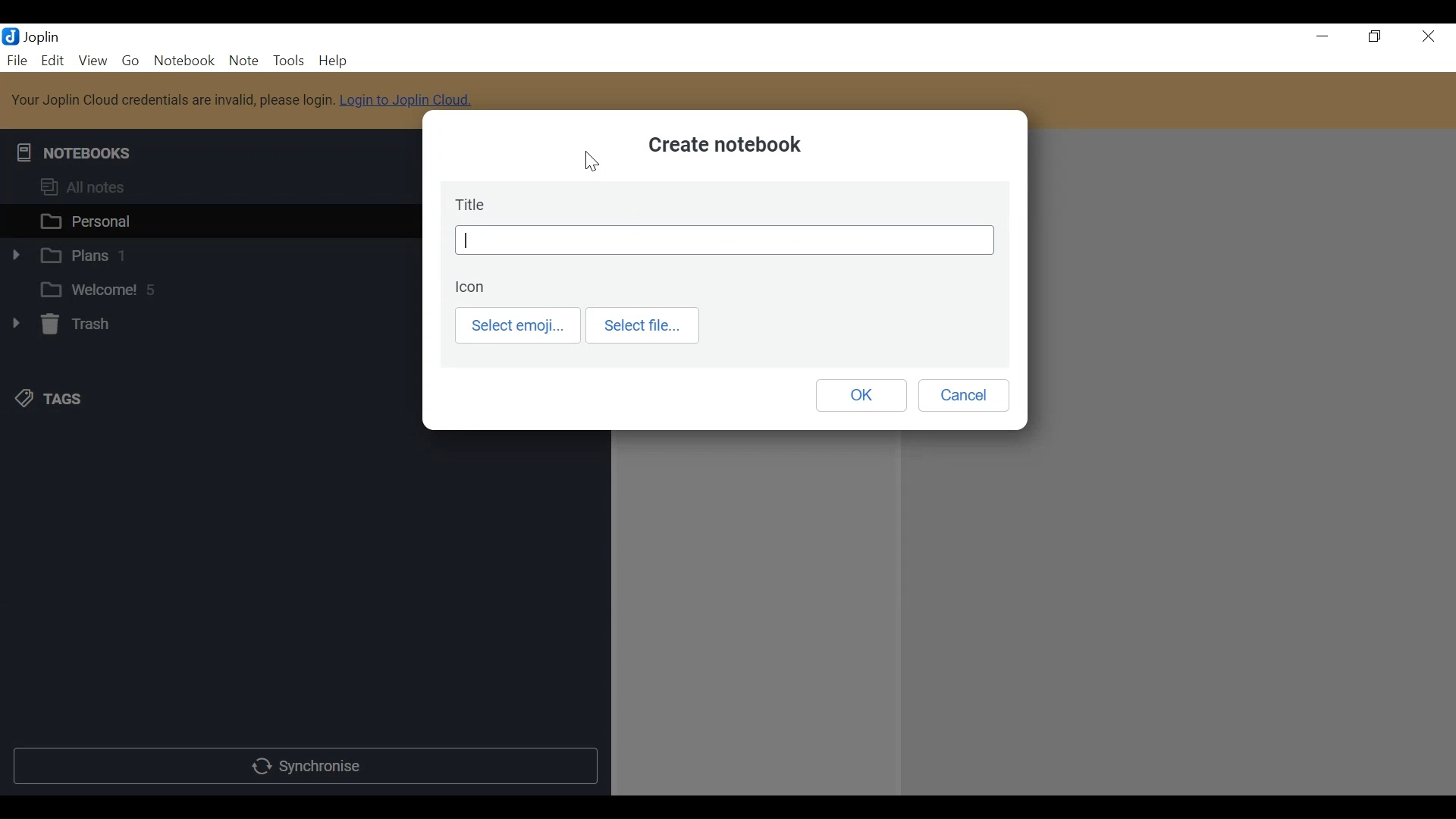  I want to click on plans 1 , so click(201, 253).